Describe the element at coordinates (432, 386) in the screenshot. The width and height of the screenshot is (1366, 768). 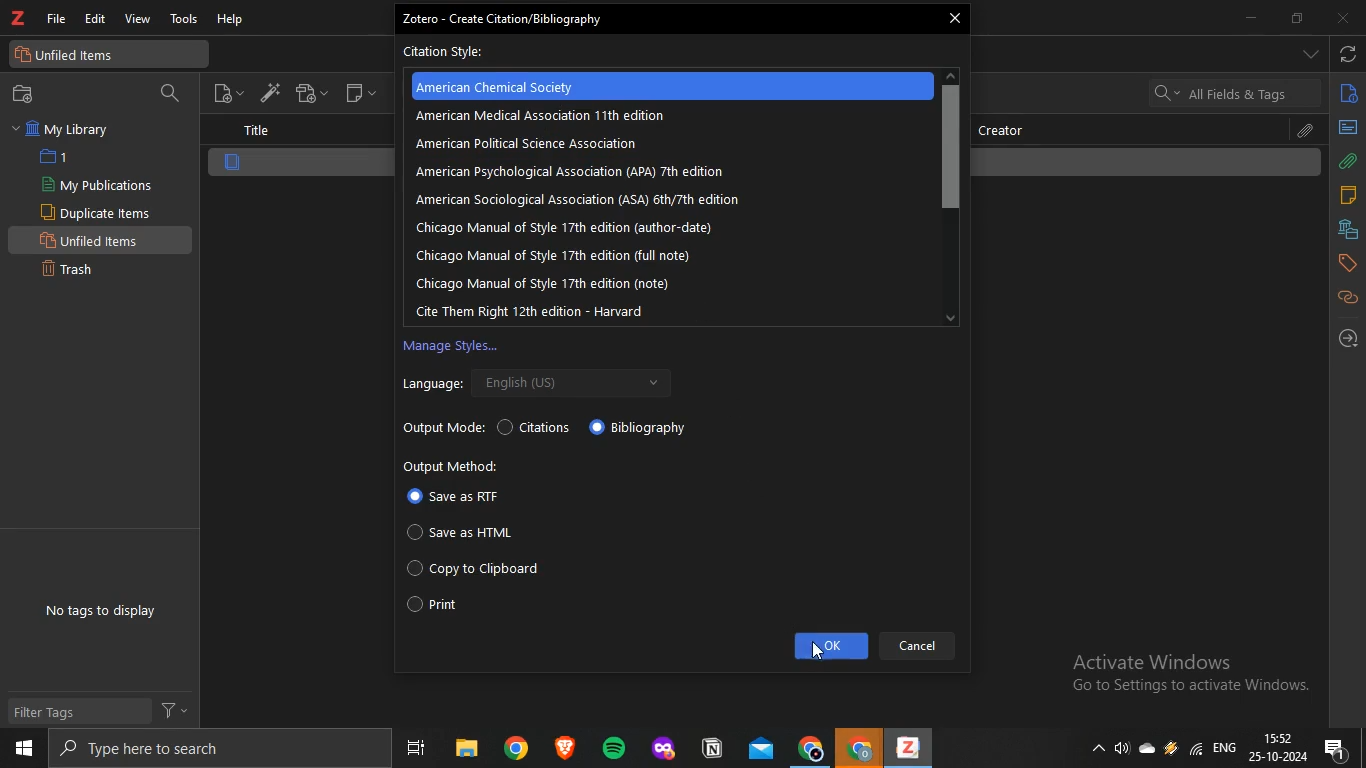
I see `Language:` at that location.